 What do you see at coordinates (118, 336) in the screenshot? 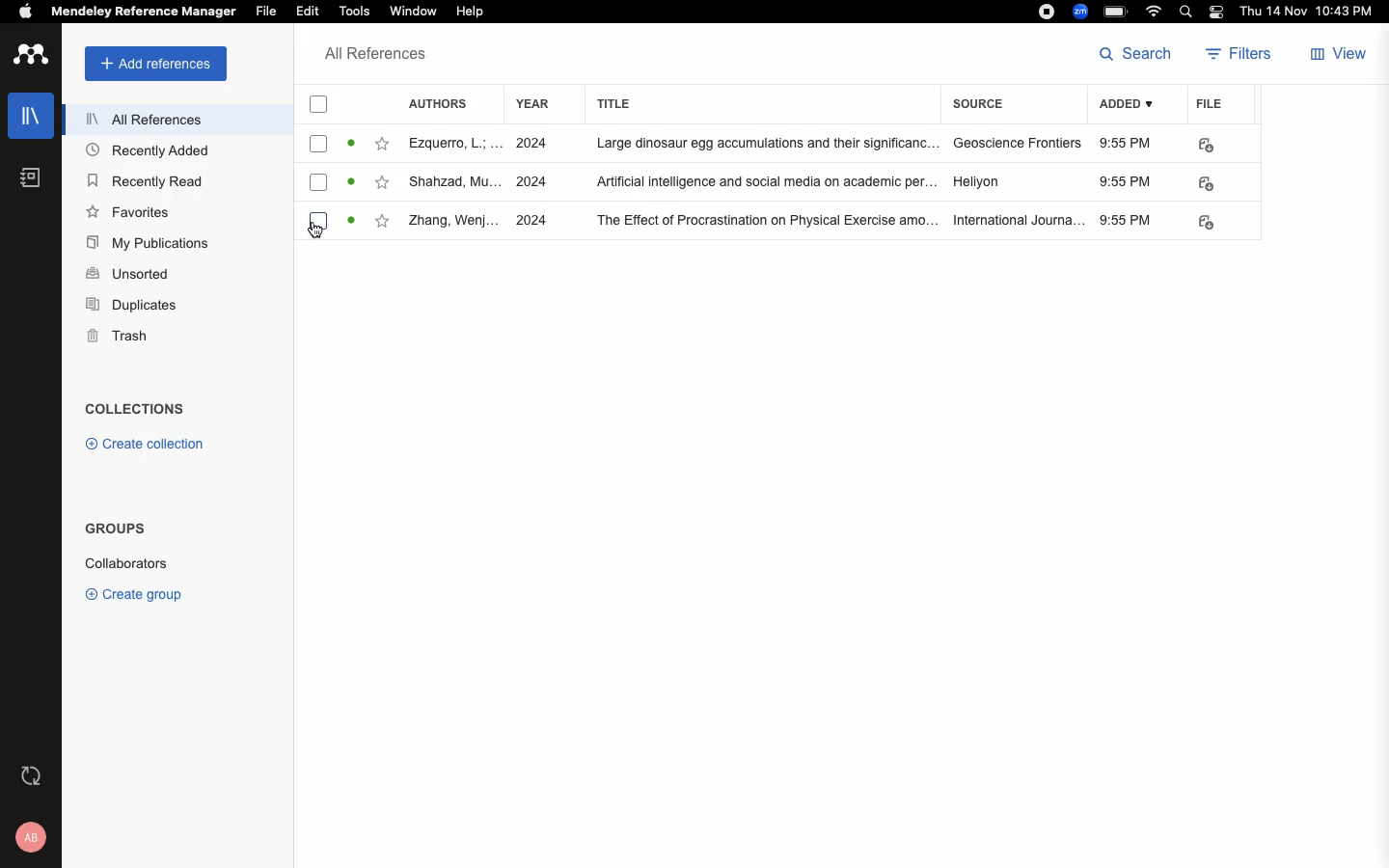
I see `Trash` at bounding box center [118, 336].